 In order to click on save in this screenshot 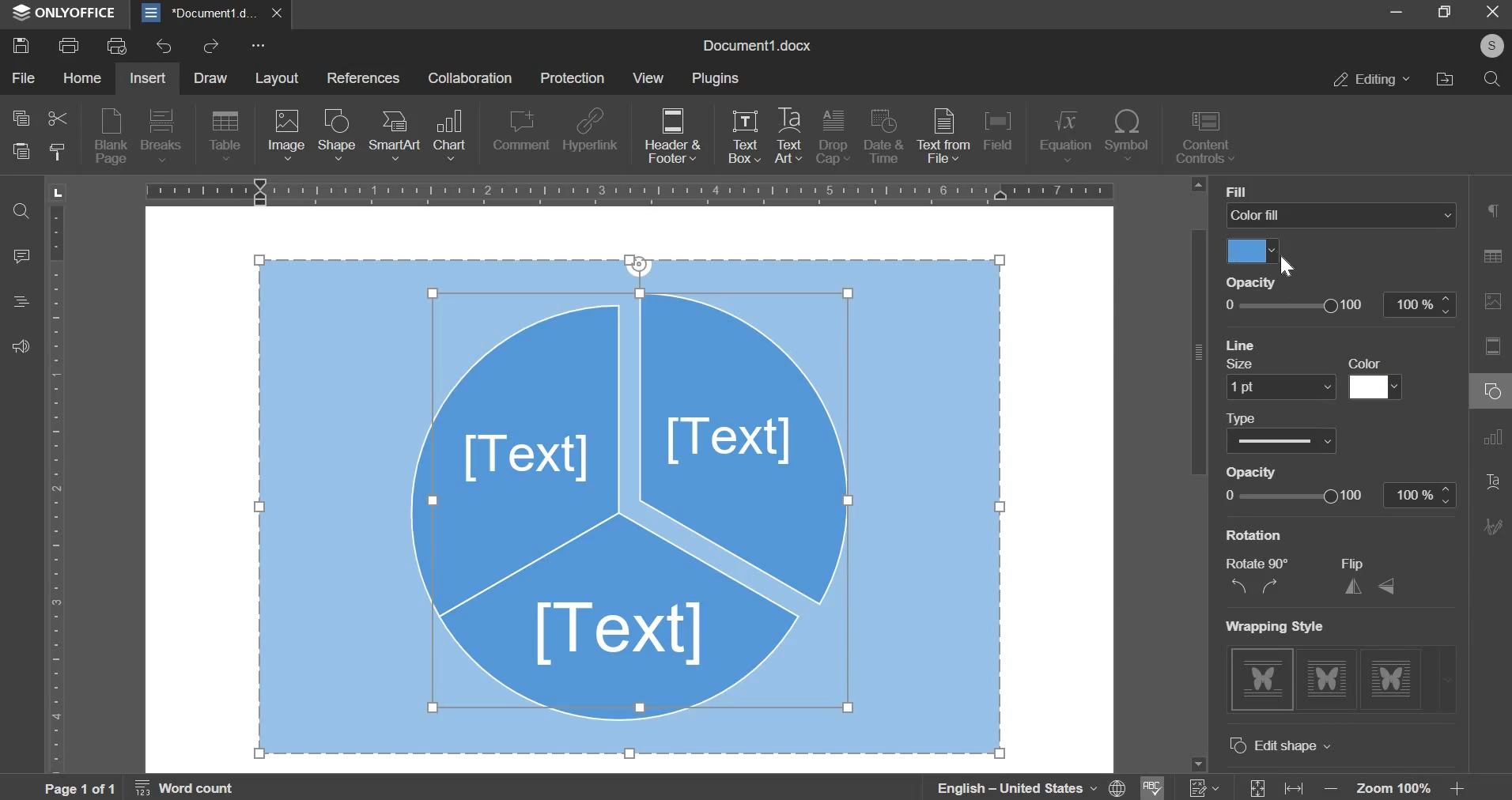, I will do `click(21, 45)`.